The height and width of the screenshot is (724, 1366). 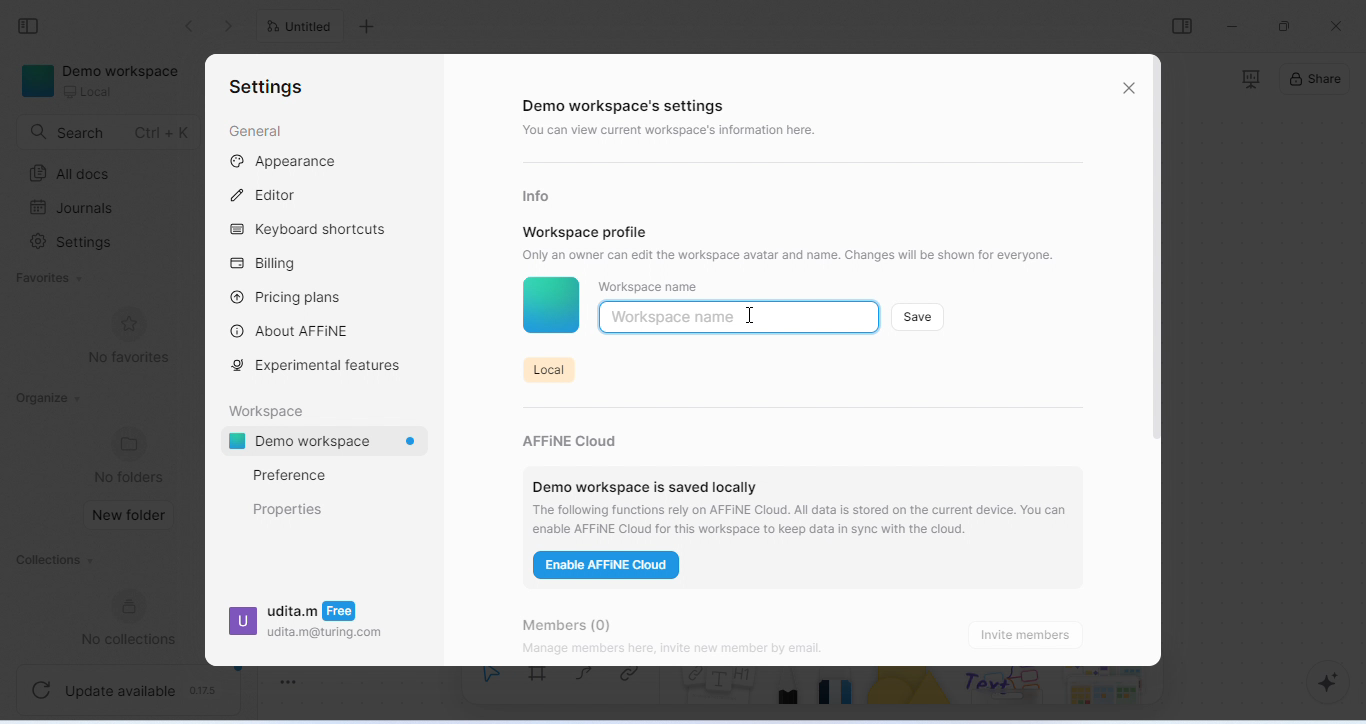 I want to click on workspace, so click(x=271, y=409).